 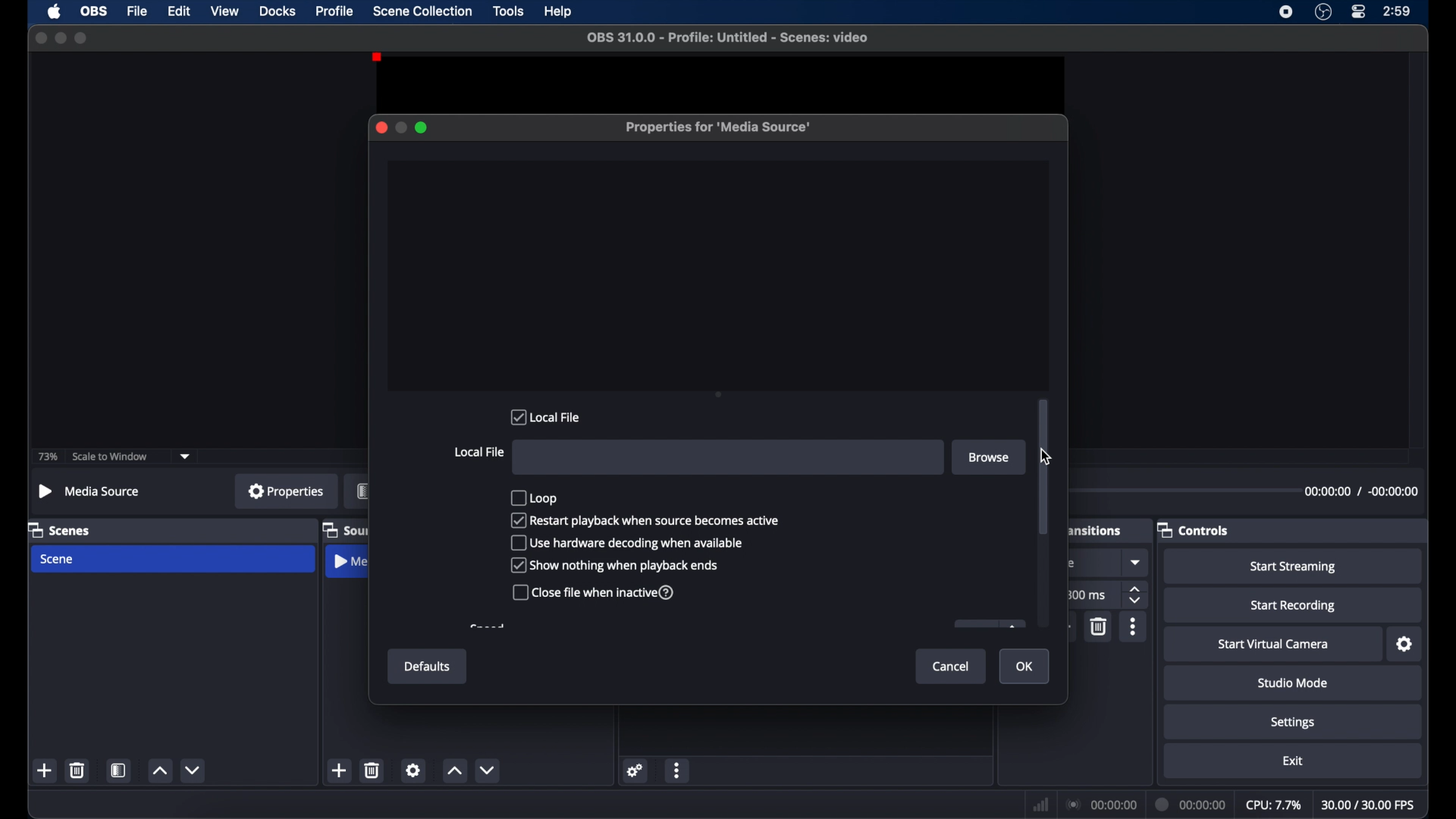 I want to click on close, so click(x=40, y=38).